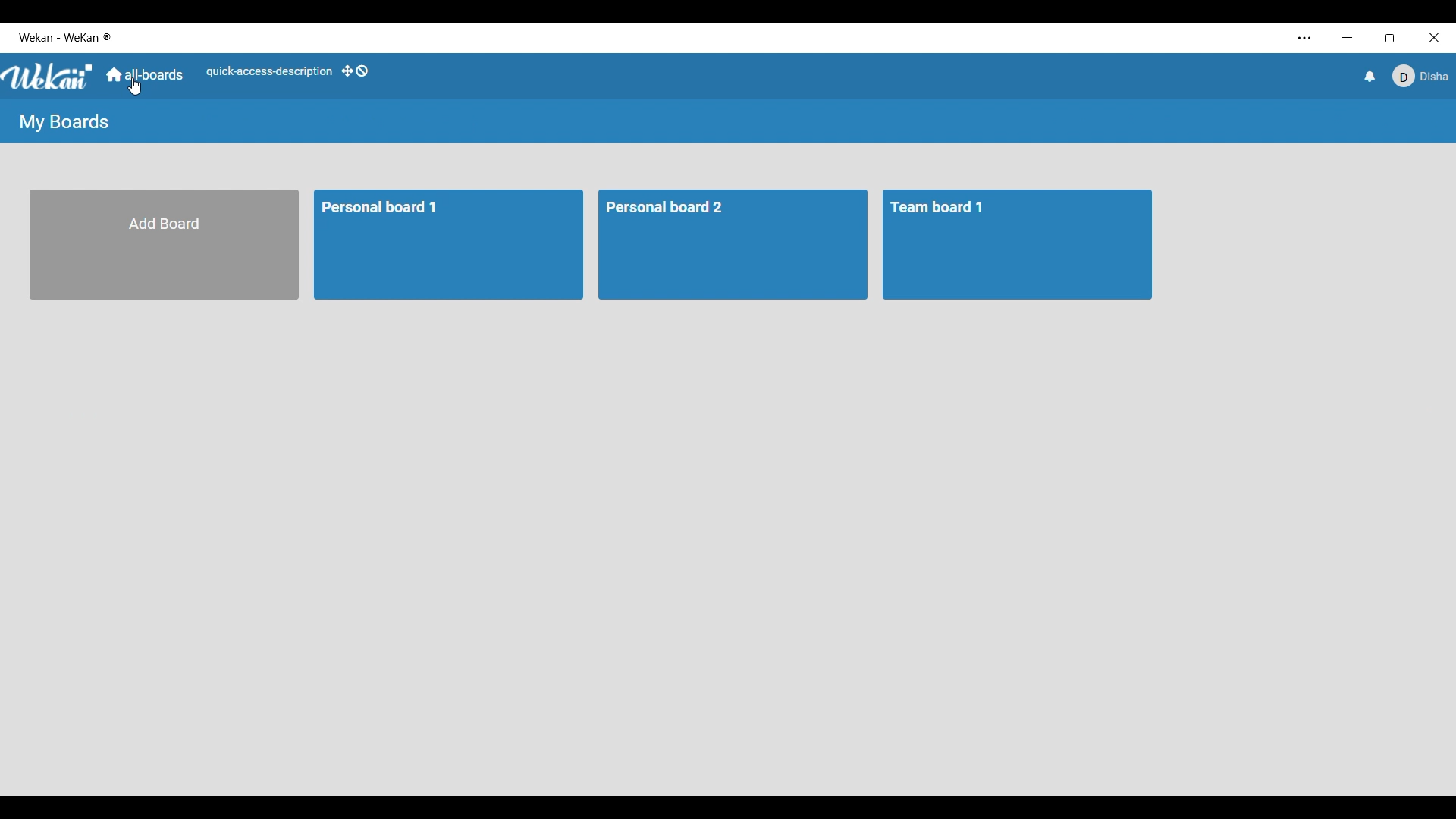 Image resolution: width=1456 pixels, height=819 pixels. What do you see at coordinates (133, 86) in the screenshot?
I see `cursor` at bounding box center [133, 86].